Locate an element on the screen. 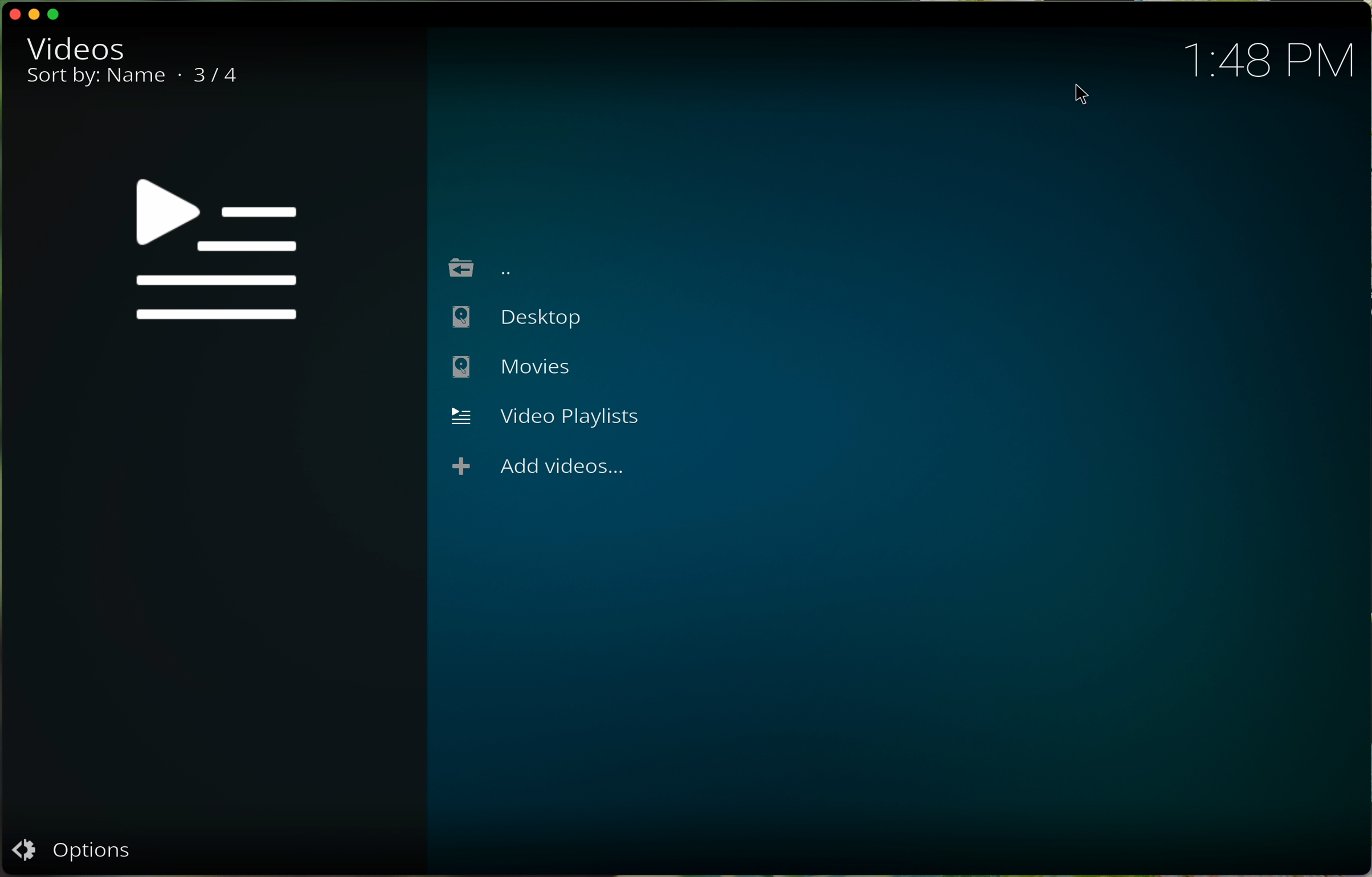 The height and width of the screenshot is (877, 1372). video is located at coordinates (75, 47).